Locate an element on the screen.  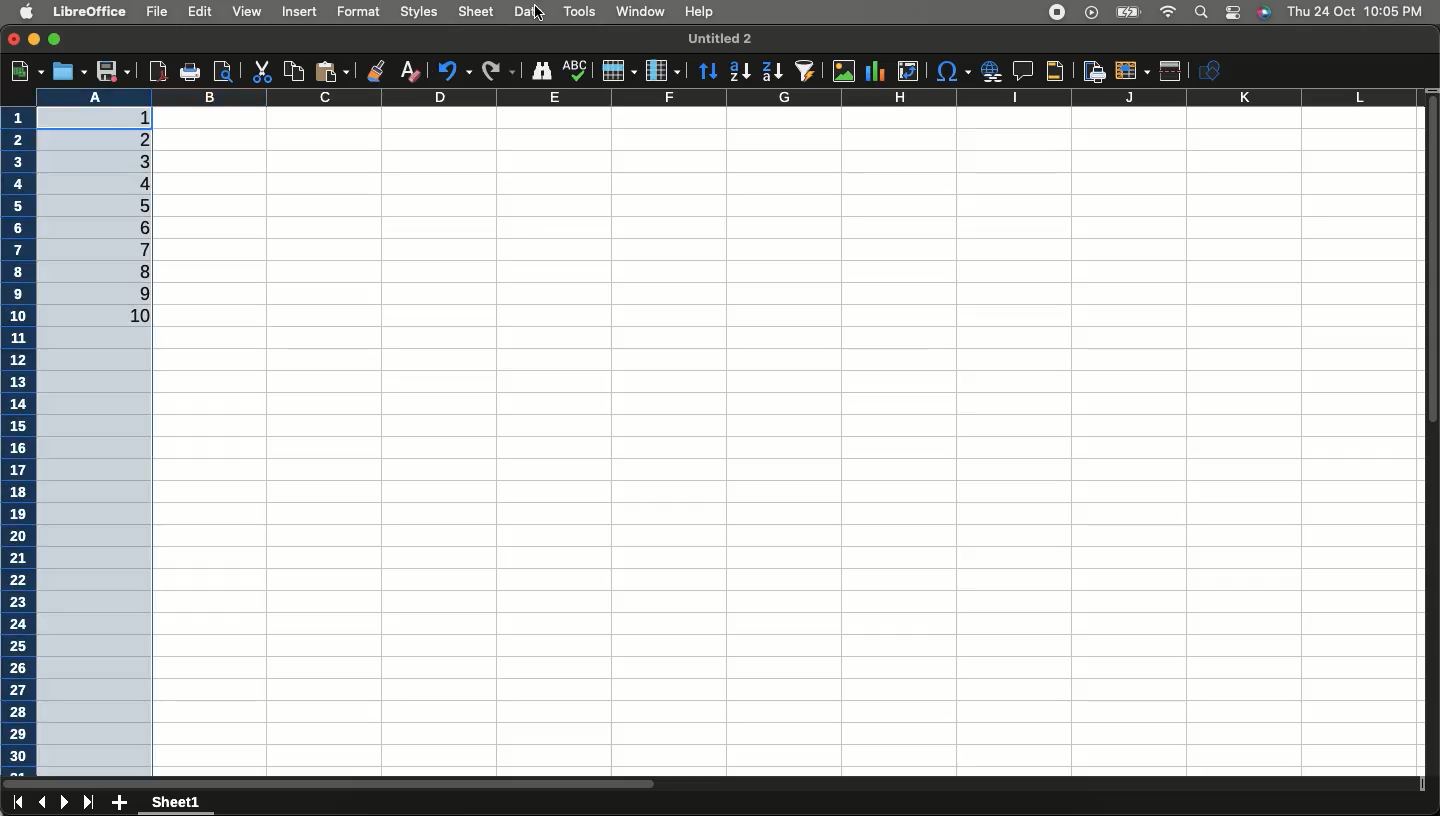
Define print area  is located at coordinates (1092, 70).